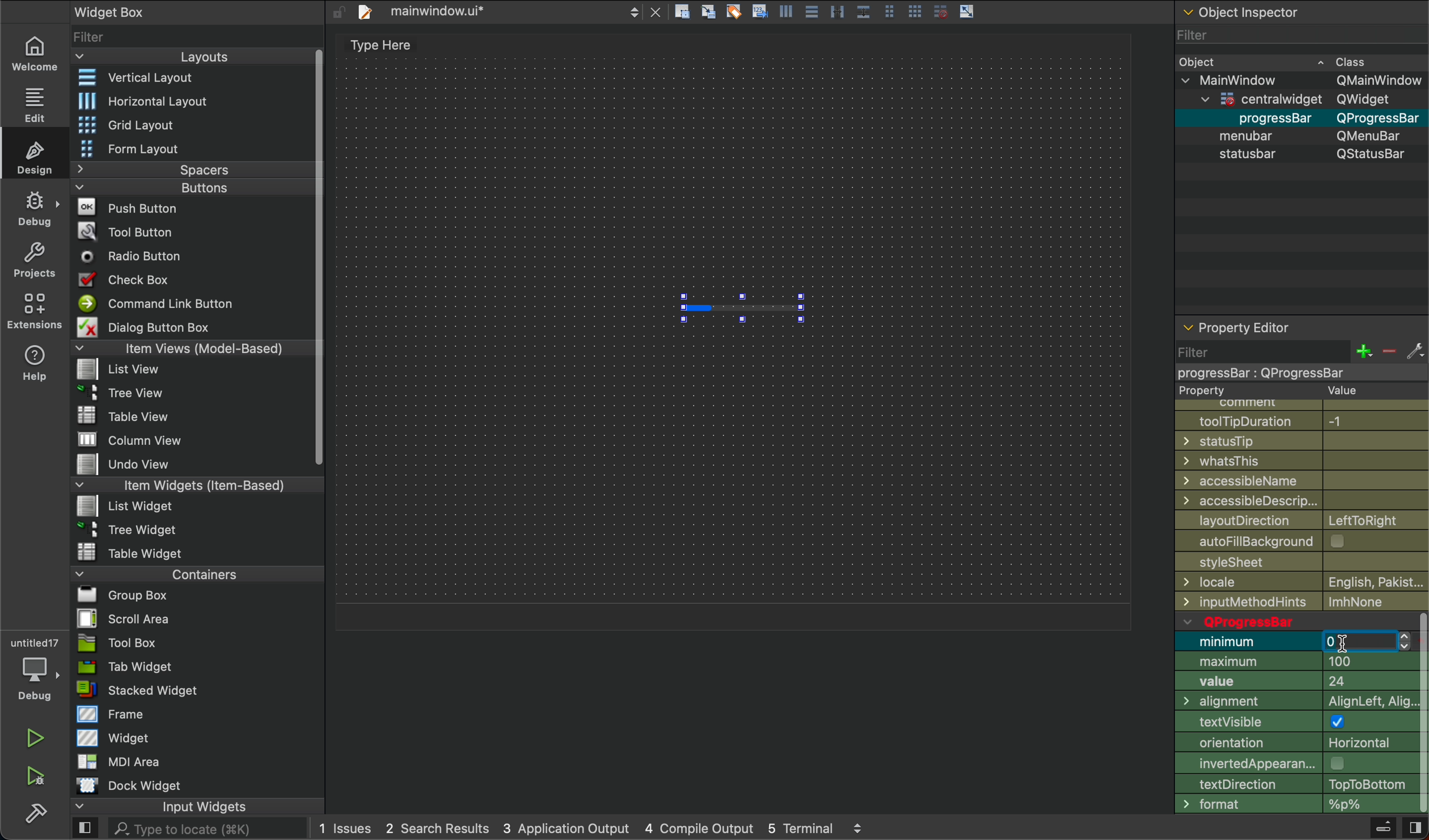 The image size is (1429, 840). What do you see at coordinates (179, 484) in the screenshot?
I see `Item Widgets` at bounding box center [179, 484].